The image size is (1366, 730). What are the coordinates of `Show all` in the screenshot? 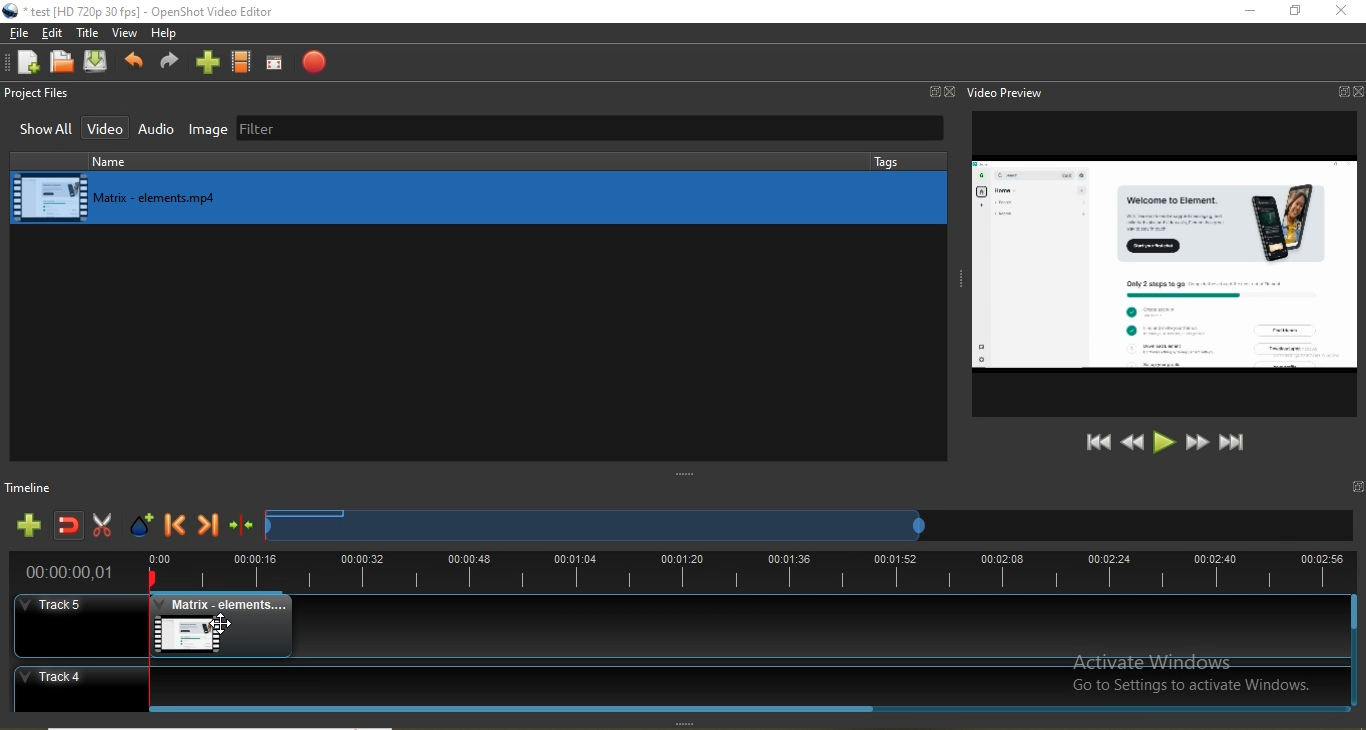 It's located at (41, 132).